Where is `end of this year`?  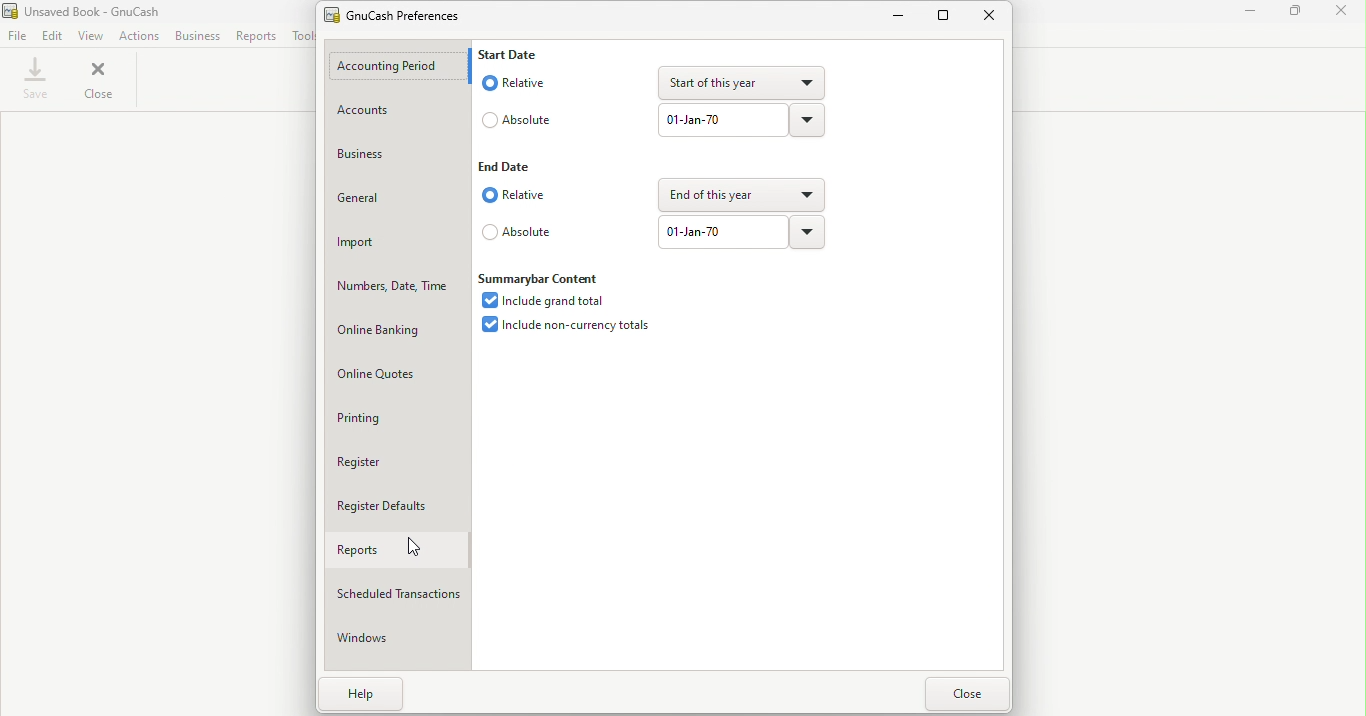
end of this year is located at coordinates (740, 196).